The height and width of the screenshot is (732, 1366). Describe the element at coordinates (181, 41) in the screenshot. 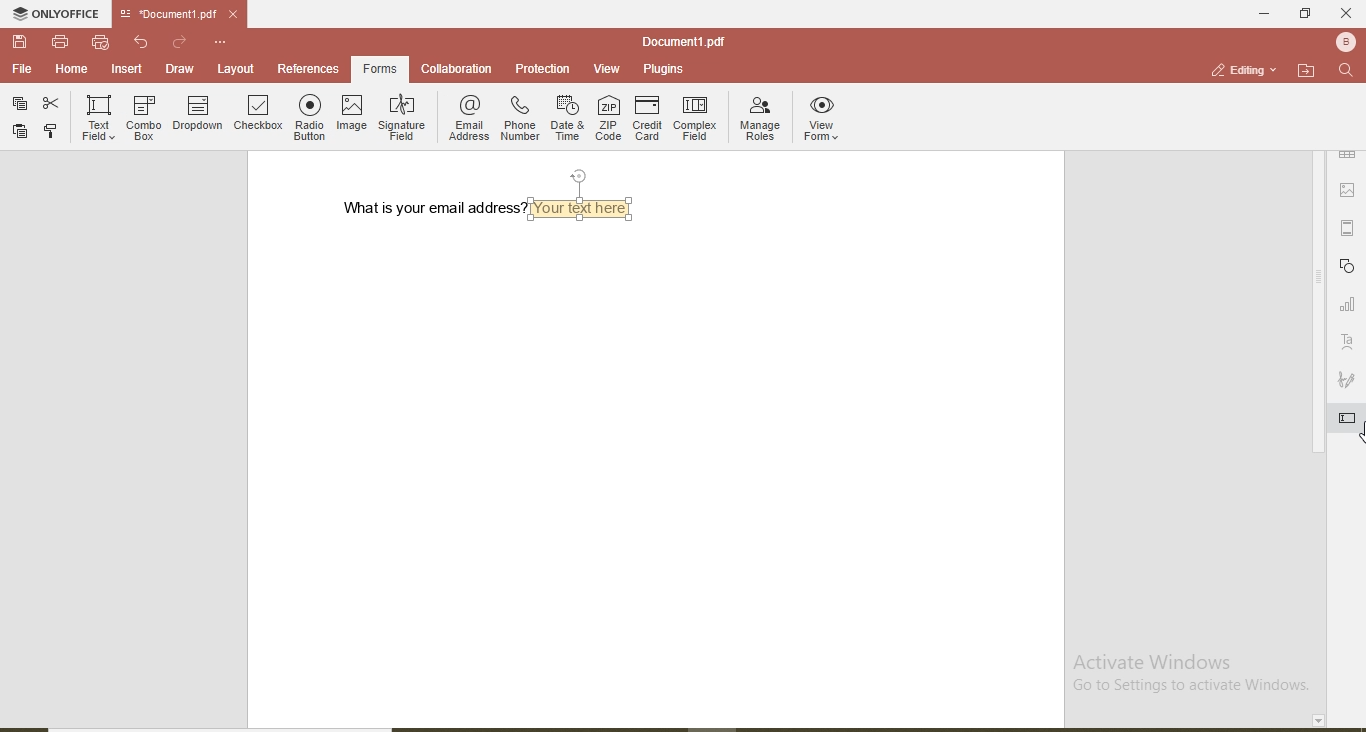

I see `redo` at that location.